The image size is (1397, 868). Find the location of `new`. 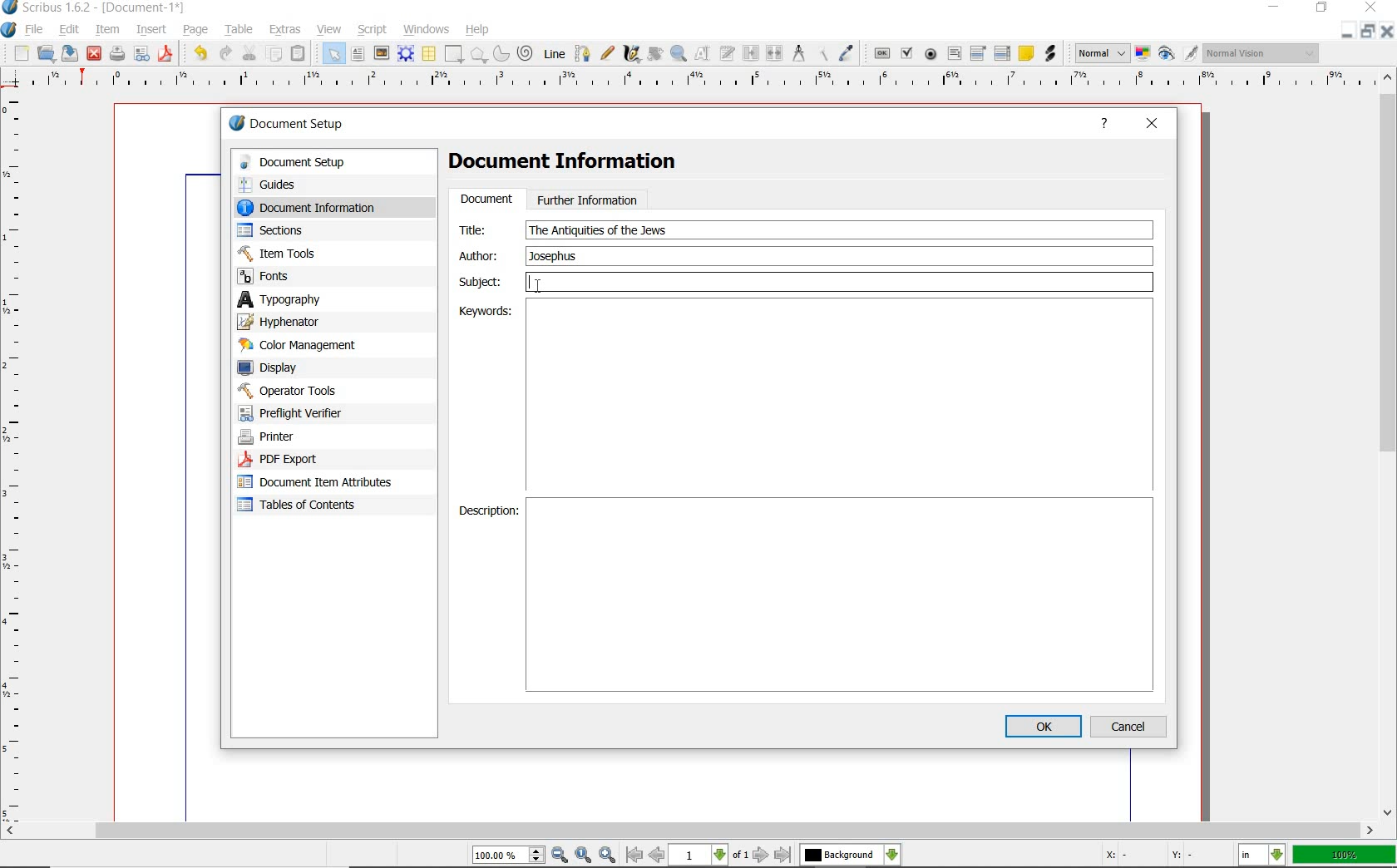

new is located at coordinates (20, 53).